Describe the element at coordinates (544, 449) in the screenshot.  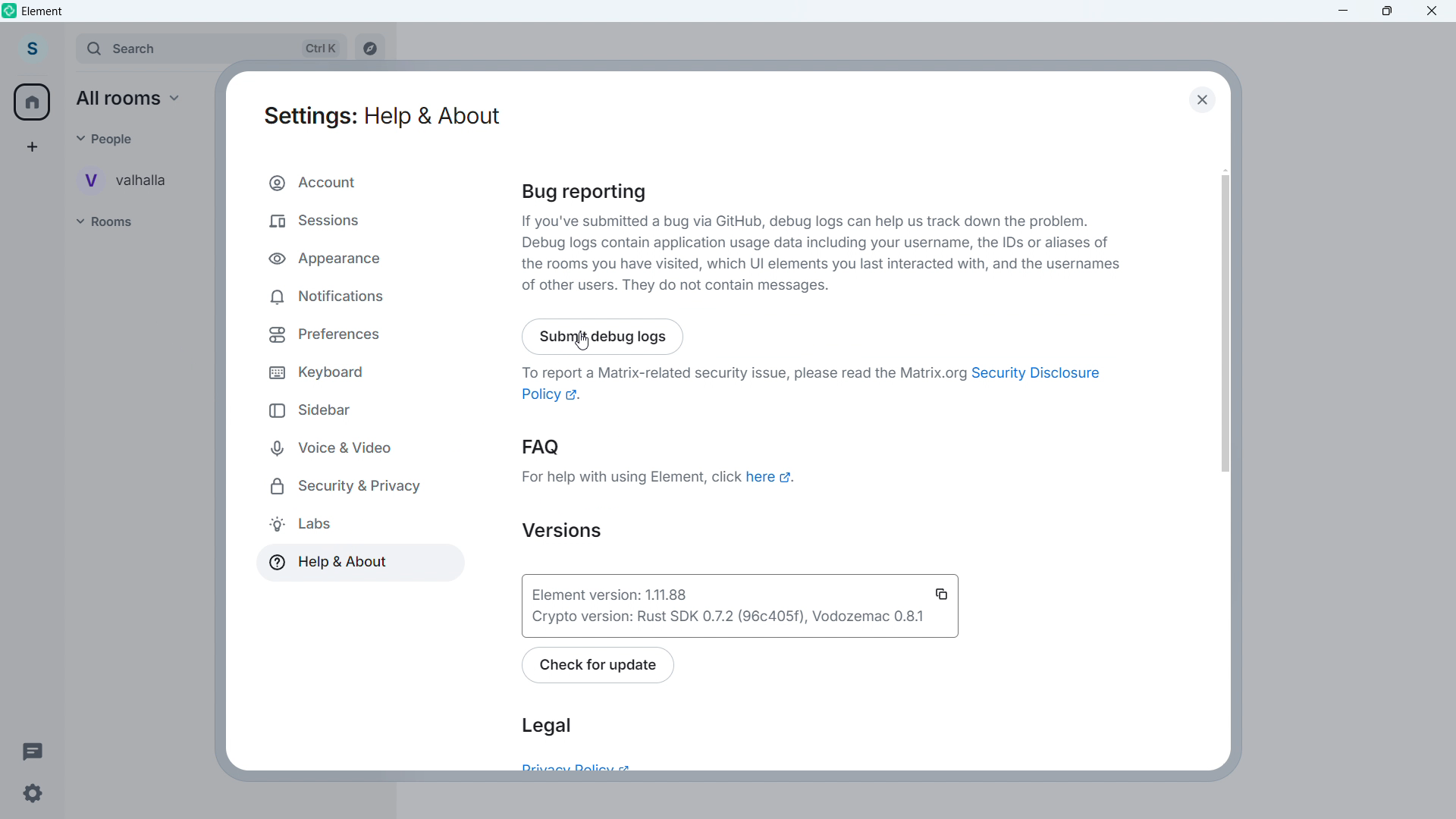
I see `FAQ ` at that location.